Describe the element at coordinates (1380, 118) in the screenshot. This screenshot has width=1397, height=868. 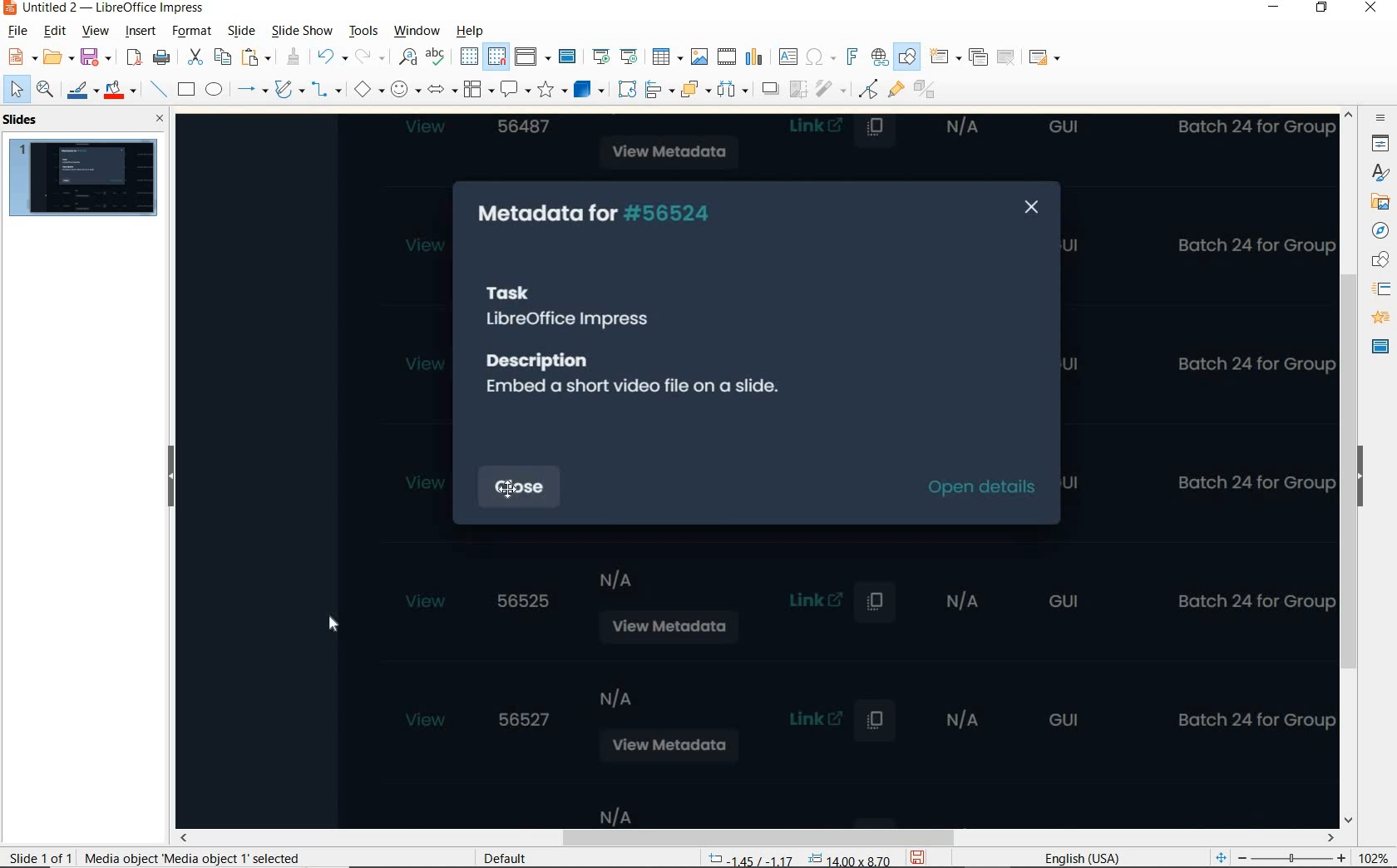
I see `SIDEBAR SETTINGS` at that location.